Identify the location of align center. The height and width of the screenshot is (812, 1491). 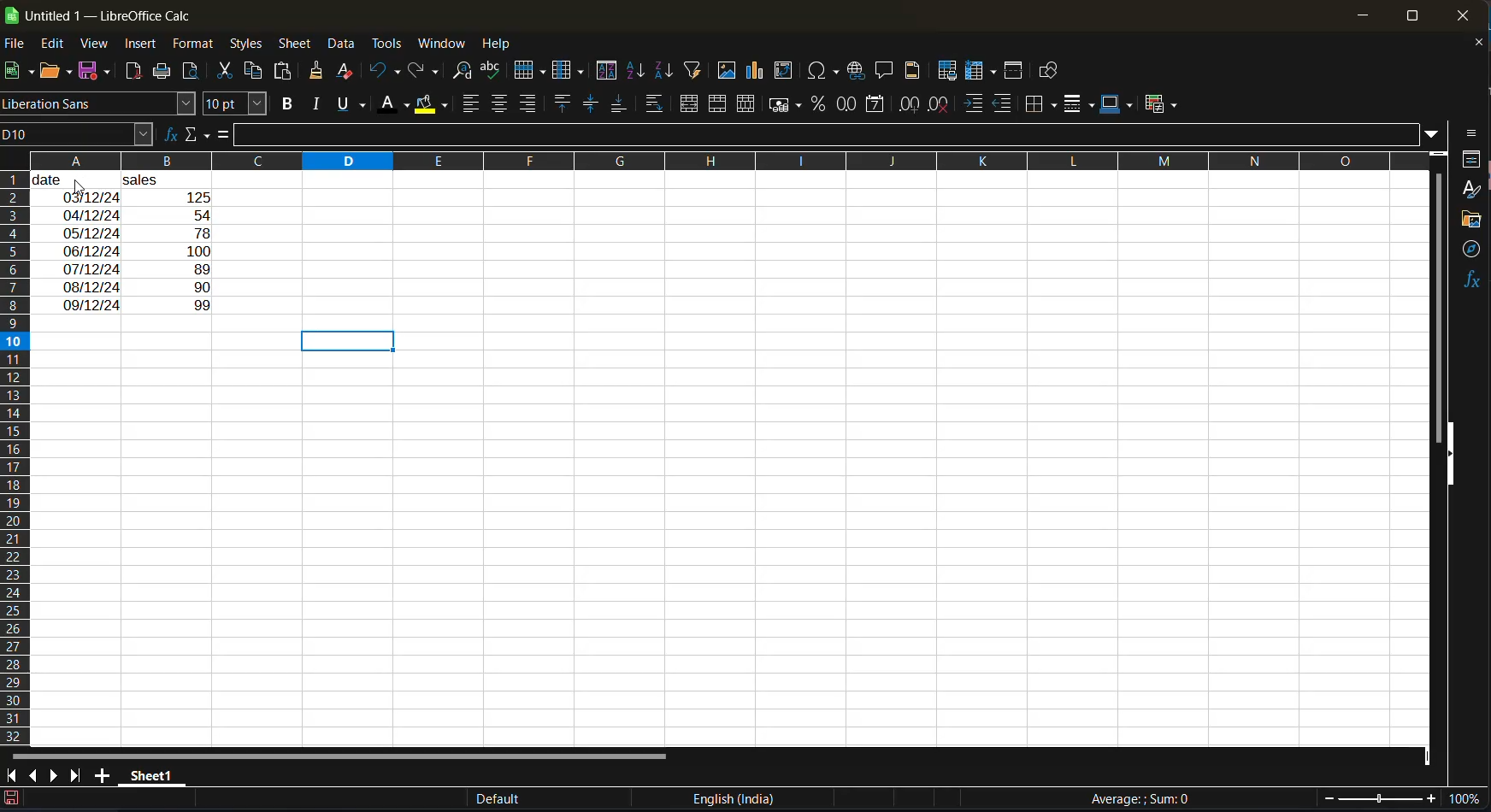
(501, 103).